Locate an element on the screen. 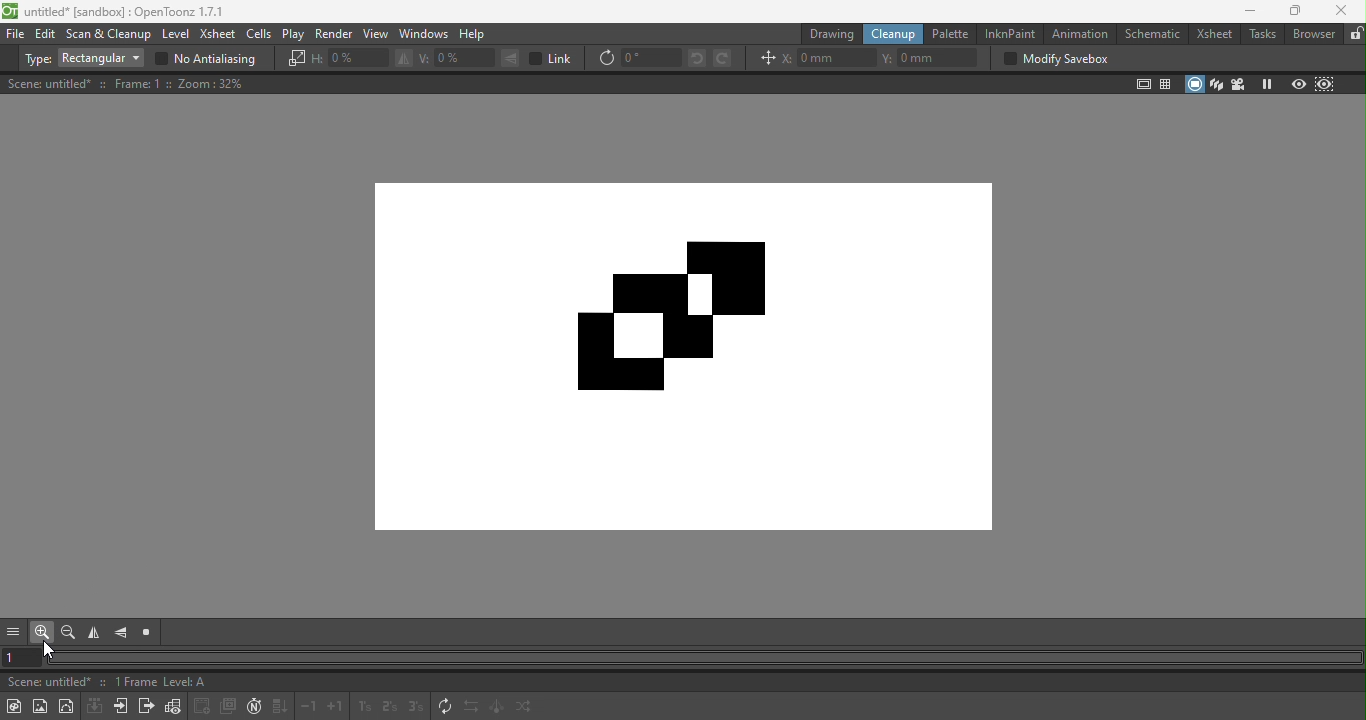 This screenshot has width=1366, height=720. Xsheet is located at coordinates (218, 34).